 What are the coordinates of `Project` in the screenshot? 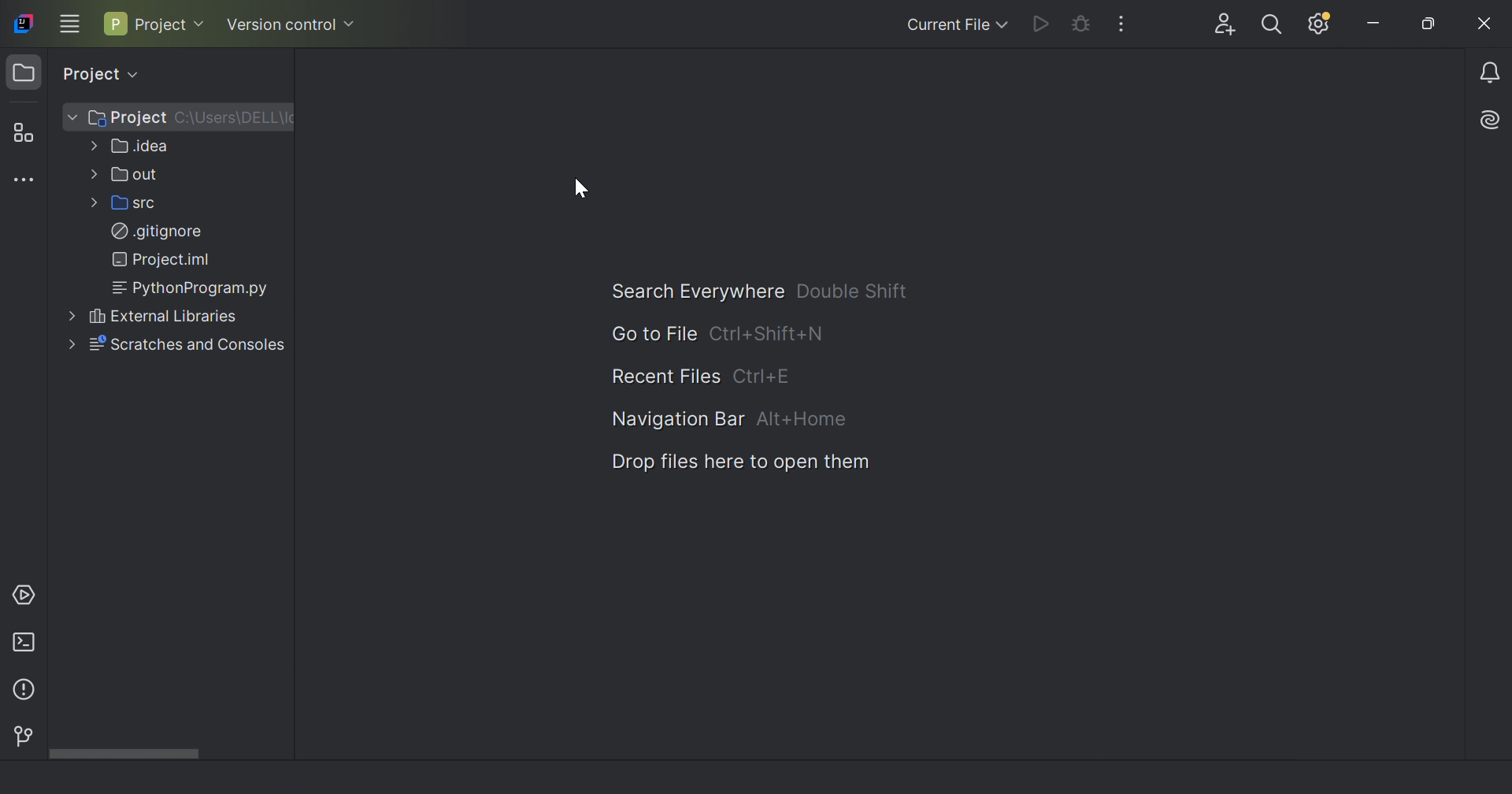 It's located at (117, 118).